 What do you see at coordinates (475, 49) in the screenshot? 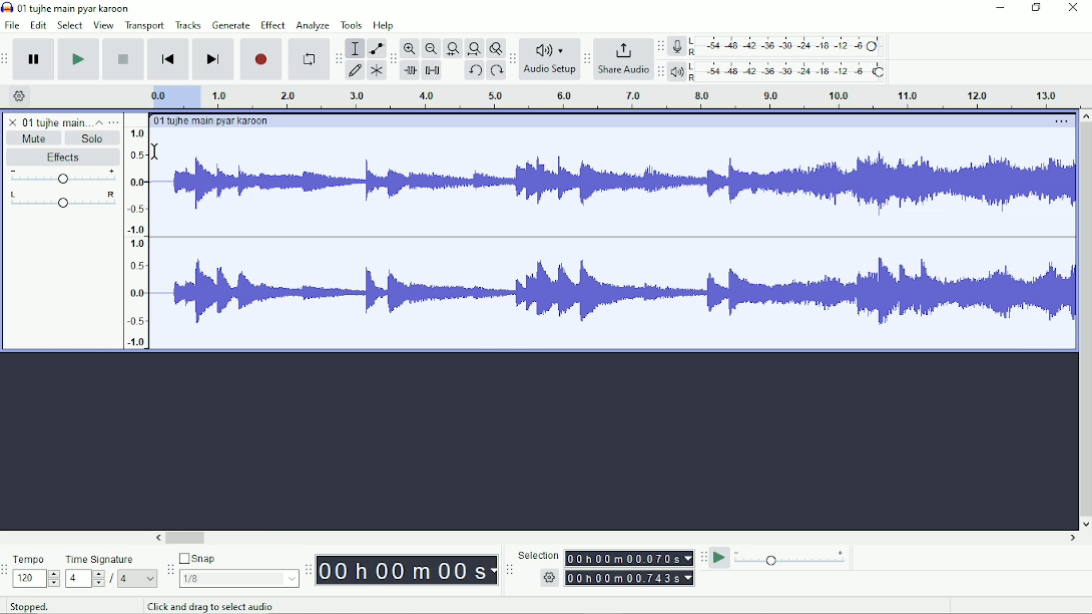
I see `Fit project to width` at bounding box center [475, 49].